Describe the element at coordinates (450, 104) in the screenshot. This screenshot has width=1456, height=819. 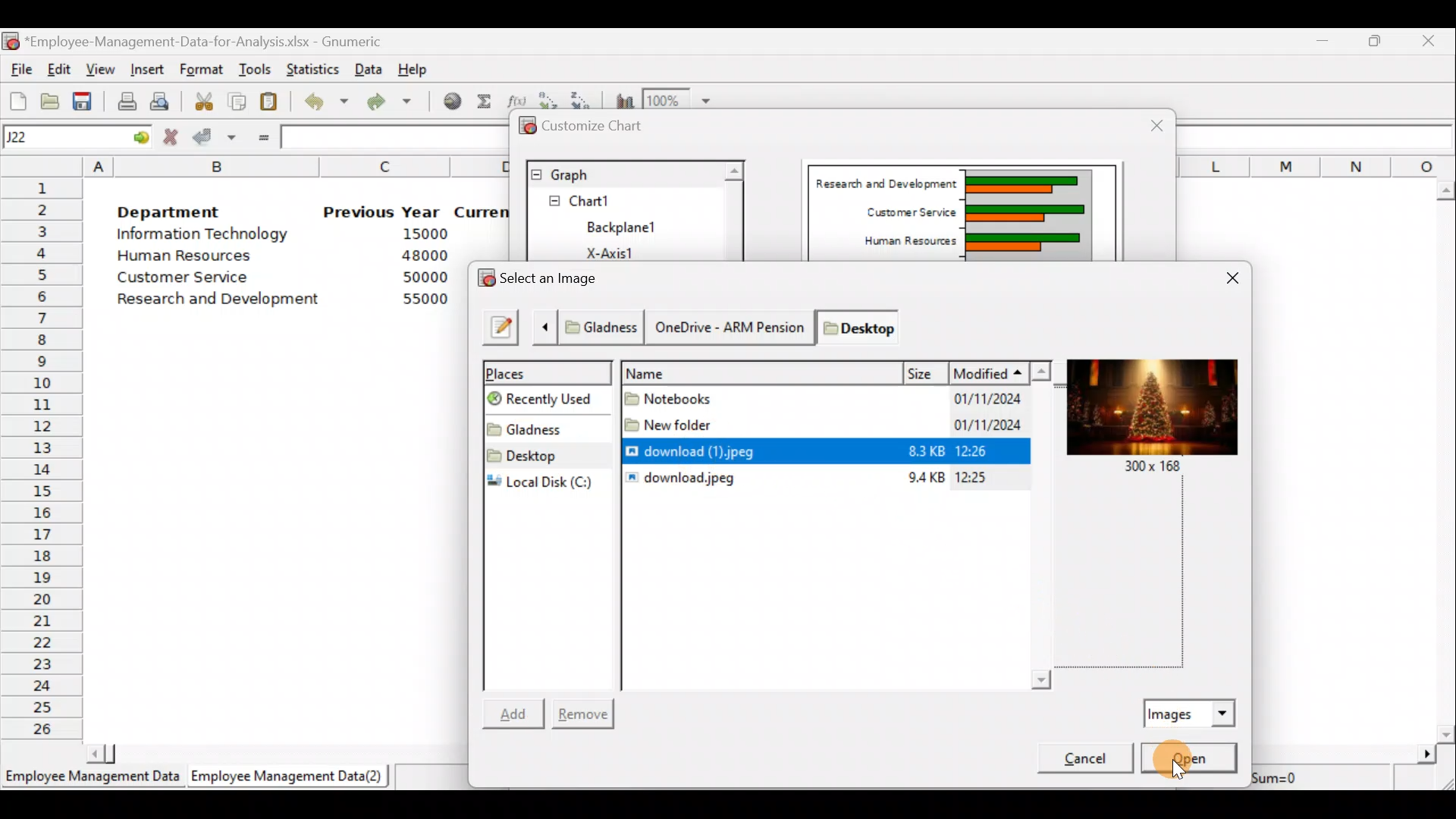
I see `Insert hyperlink` at that location.